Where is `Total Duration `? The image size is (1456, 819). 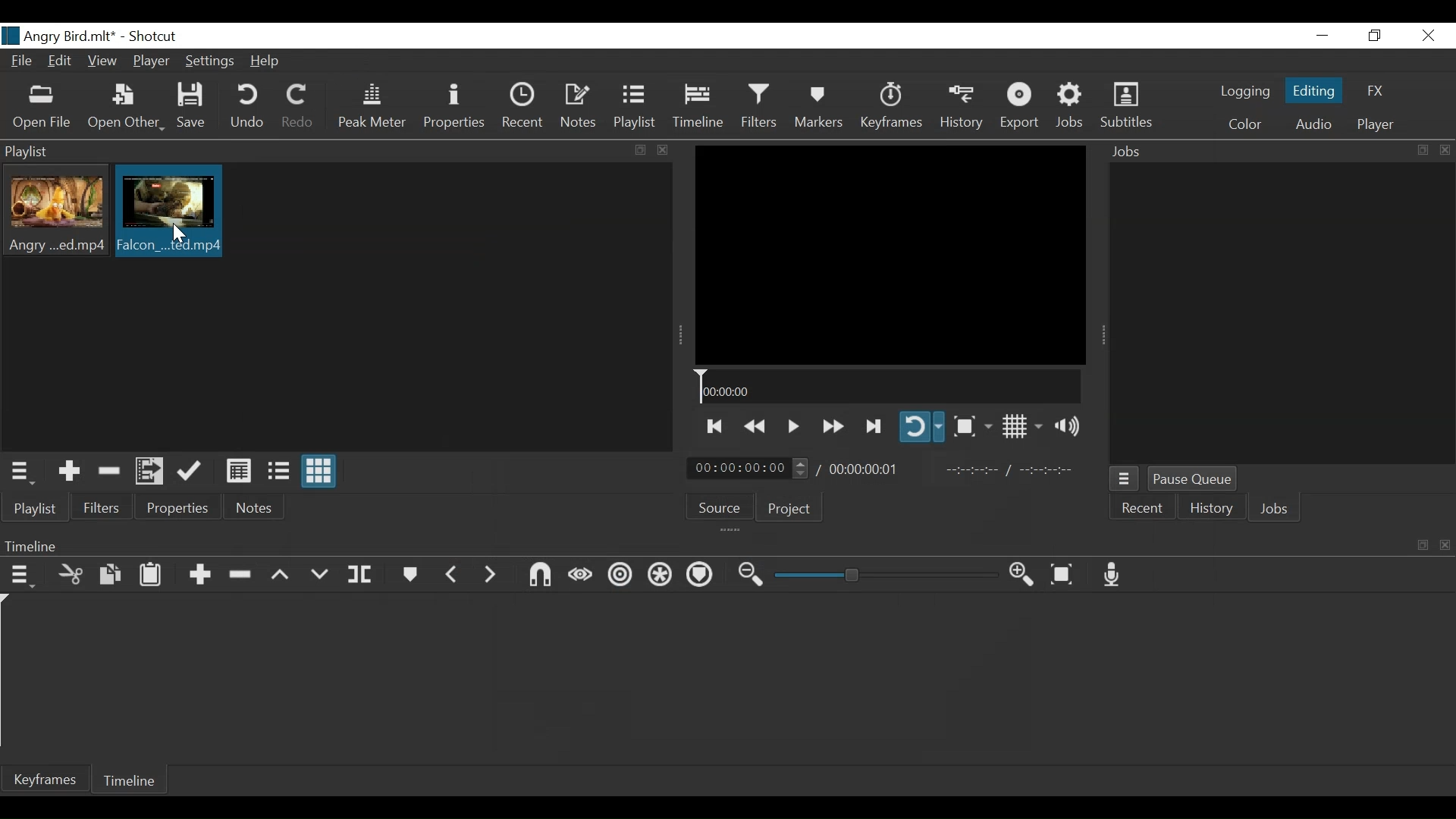 Total Duration  is located at coordinates (863, 468).